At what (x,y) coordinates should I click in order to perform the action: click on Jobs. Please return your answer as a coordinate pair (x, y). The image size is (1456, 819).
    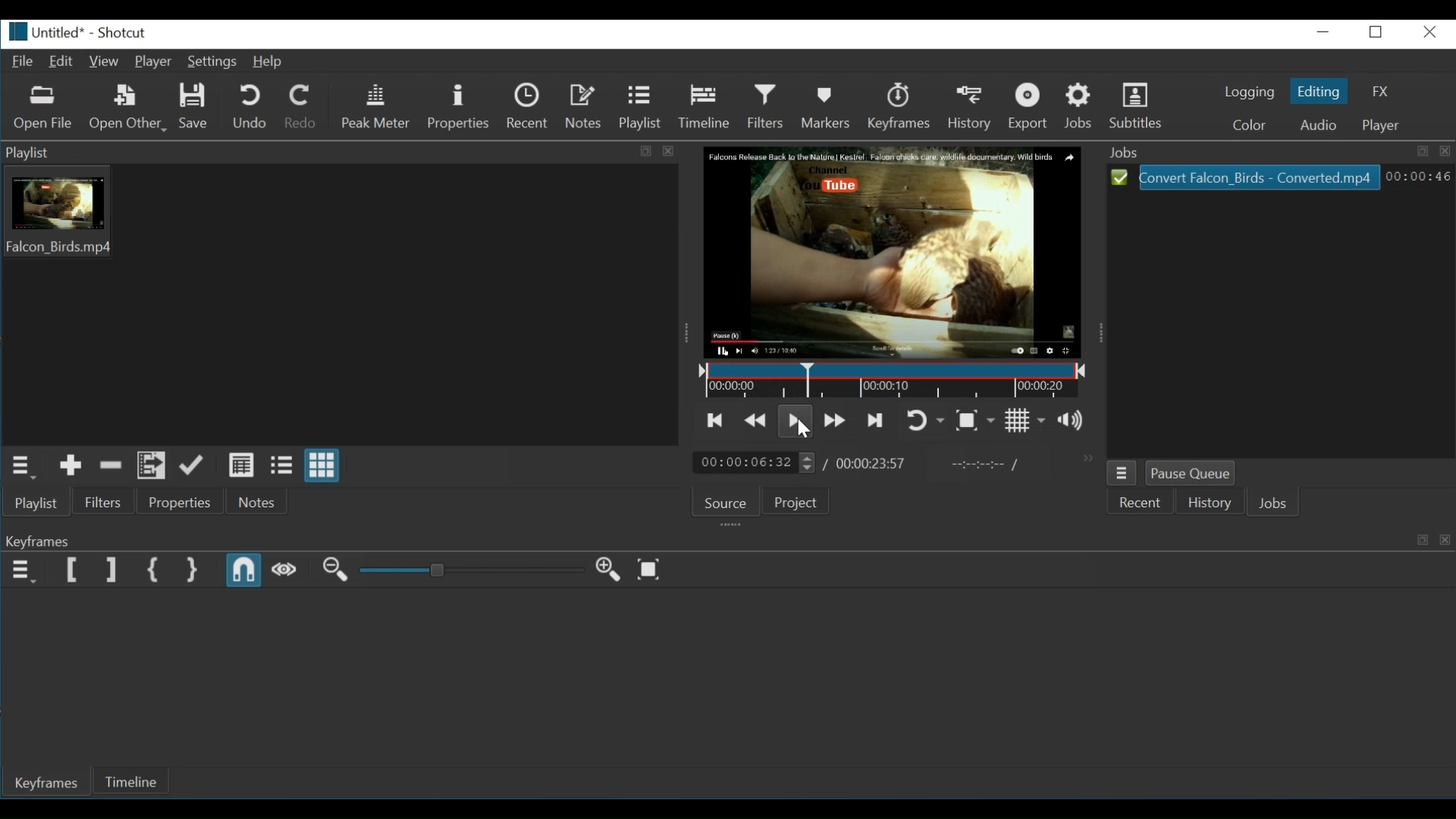
    Looking at the image, I should click on (1080, 106).